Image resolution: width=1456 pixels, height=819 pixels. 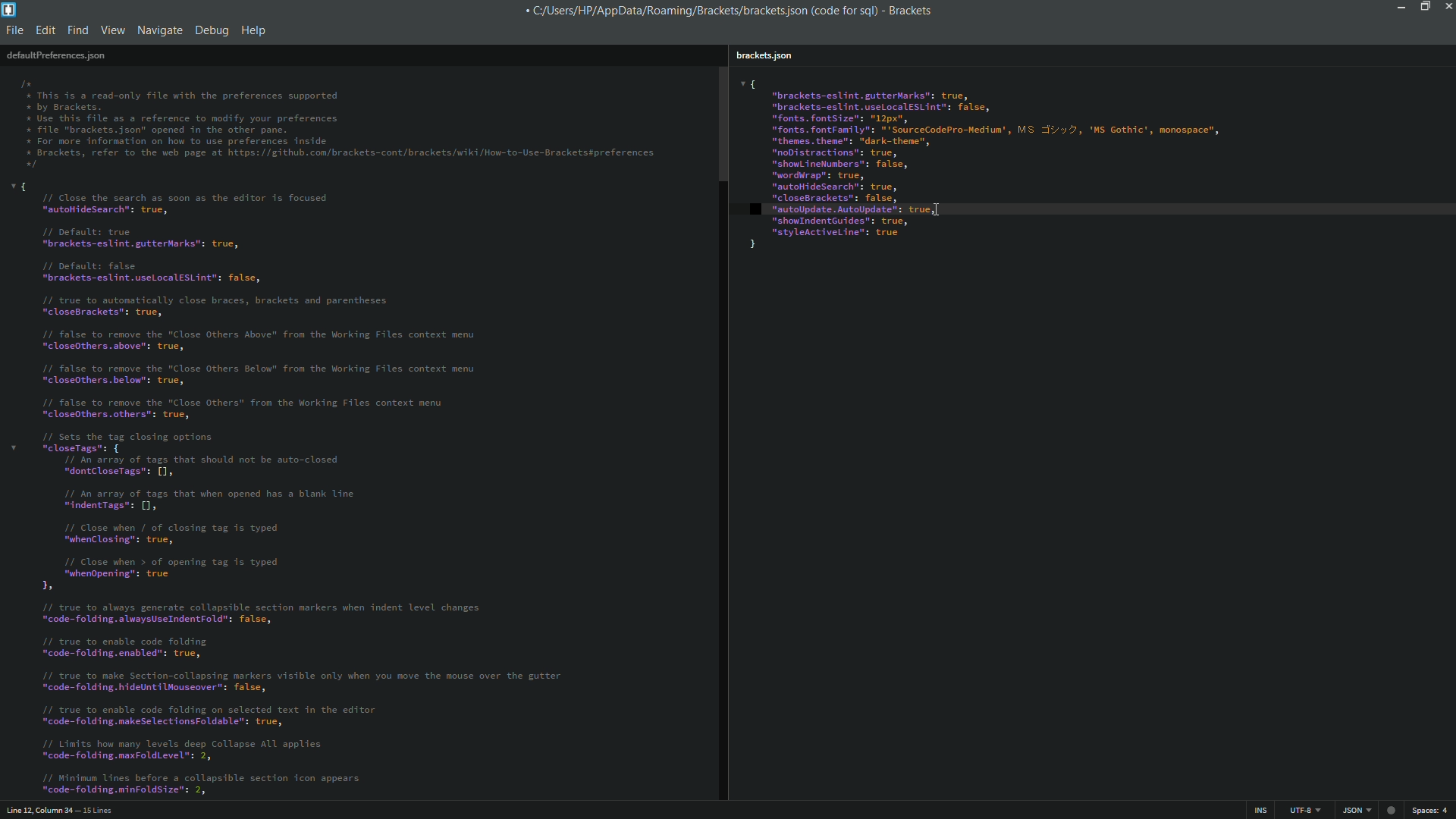 What do you see at coordinates (340, 121) in the screenshot?
I see `Ix

* This is a read-only file with the preferences supported

* by Brackets.

* Use this file as a reference to modify your preferences

* file "brackets.json" opened in the other pane.

* For more information on how to use preferences inside

* Brackets, refer to the web page at https: //github.con/brackets-cont/brackets/wiki/How-to-Use-Bracketsspreferences
*/` at bounding box center [340, 121].